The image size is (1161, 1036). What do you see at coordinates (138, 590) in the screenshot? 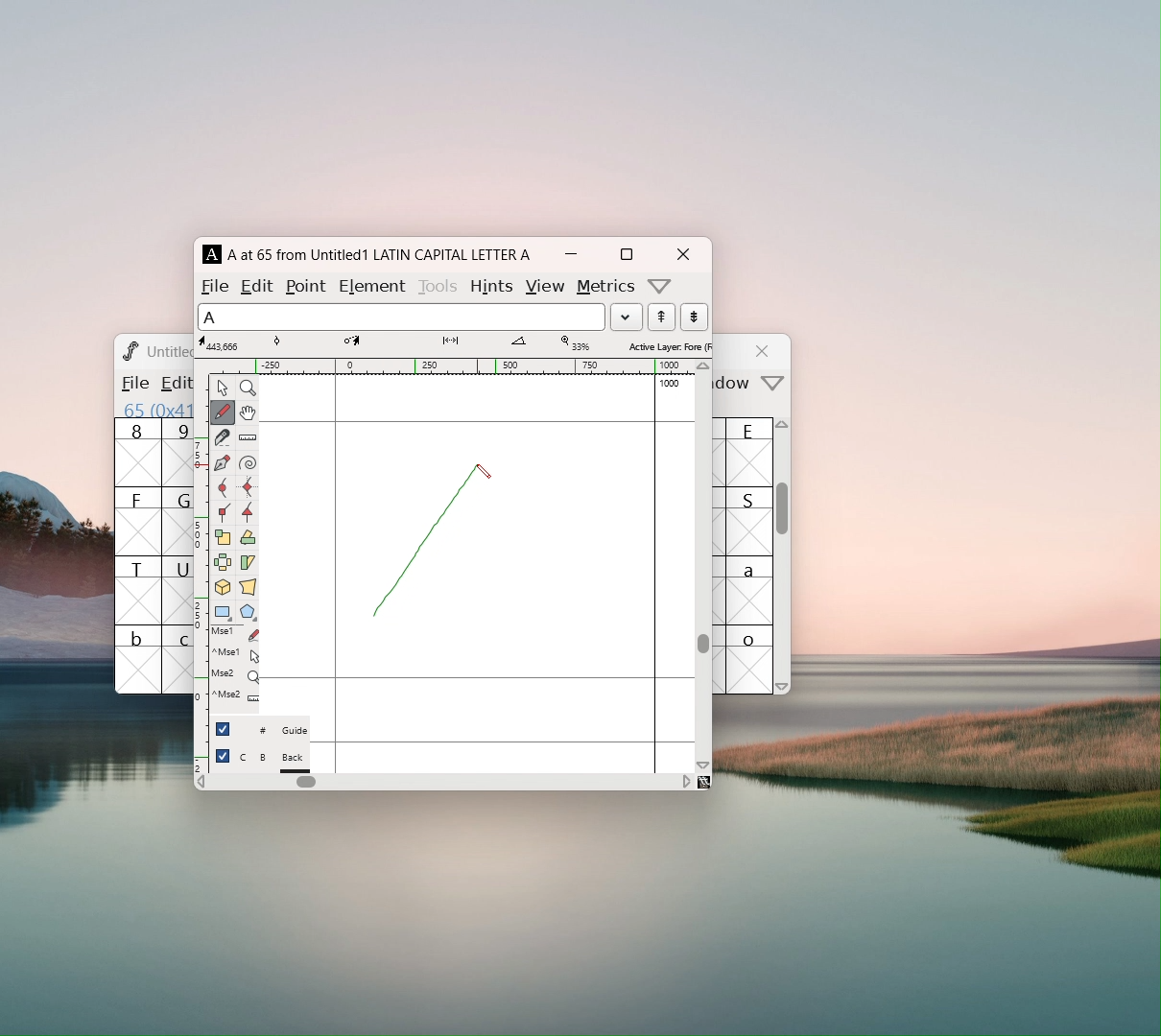
I see `T` at bounding box center [138, 590].